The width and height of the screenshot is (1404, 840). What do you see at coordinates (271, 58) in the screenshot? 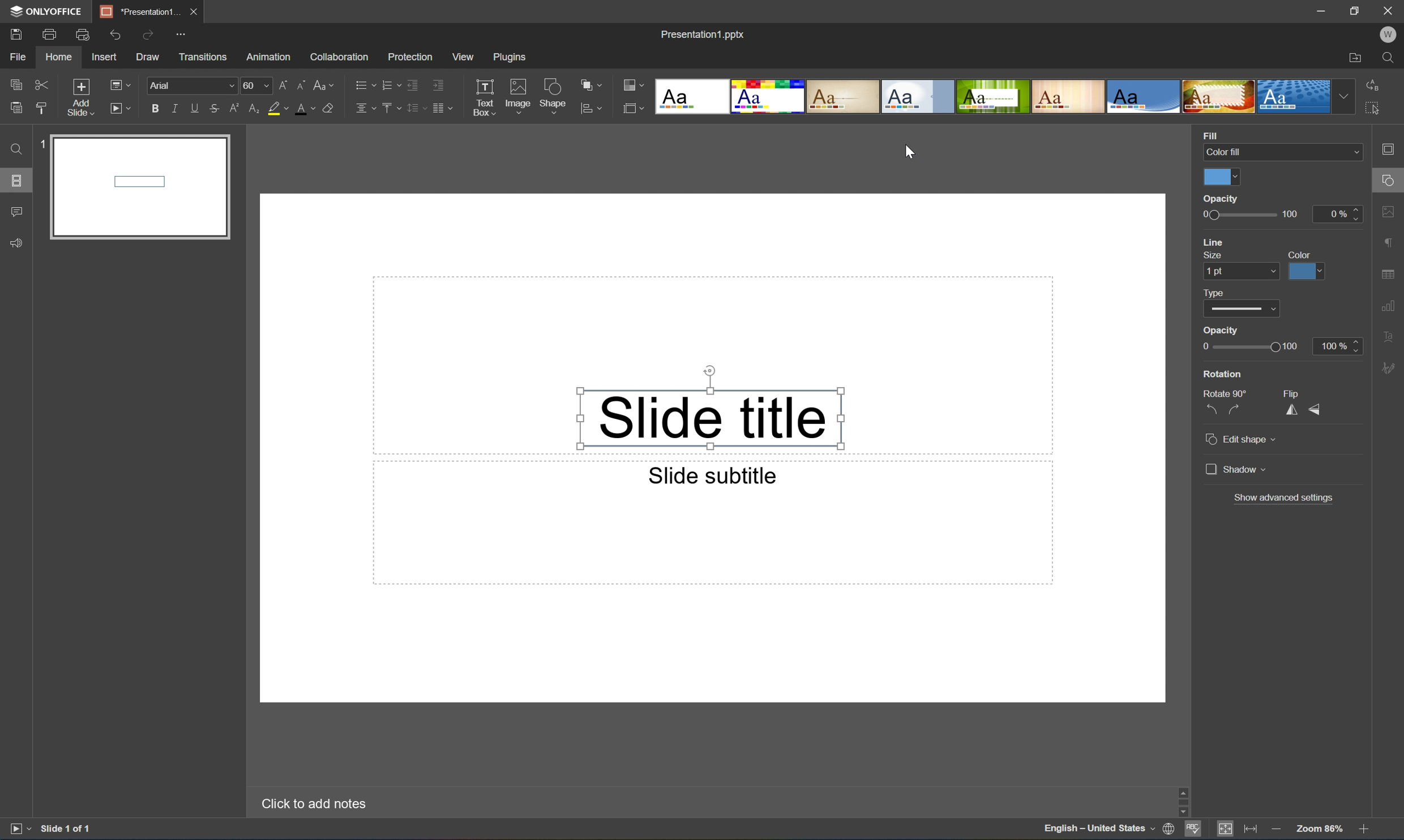
I see `Animation` at bounding box center [271, 58].